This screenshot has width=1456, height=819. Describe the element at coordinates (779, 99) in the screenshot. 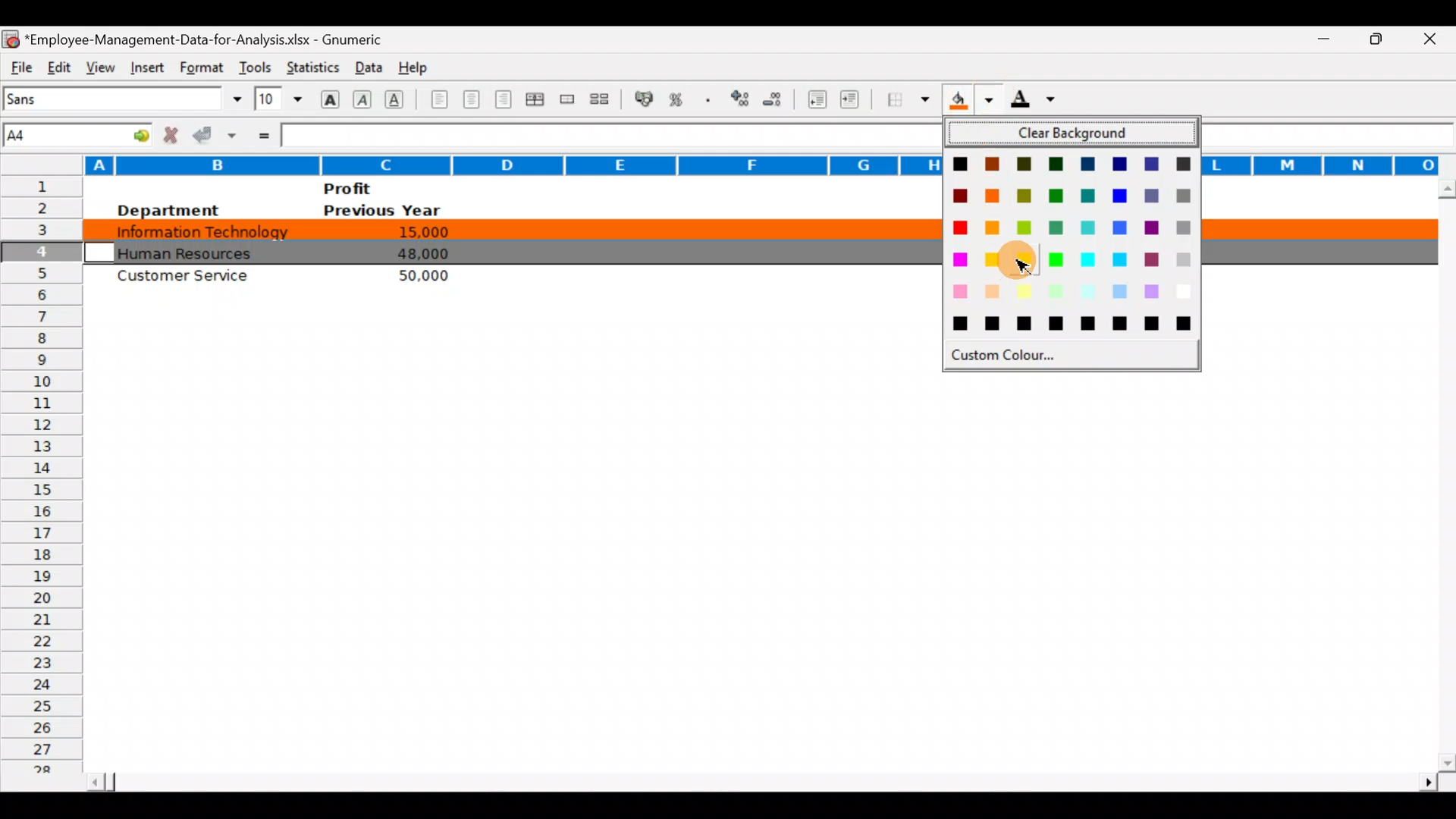

I see `Decrease decimals` at that location.